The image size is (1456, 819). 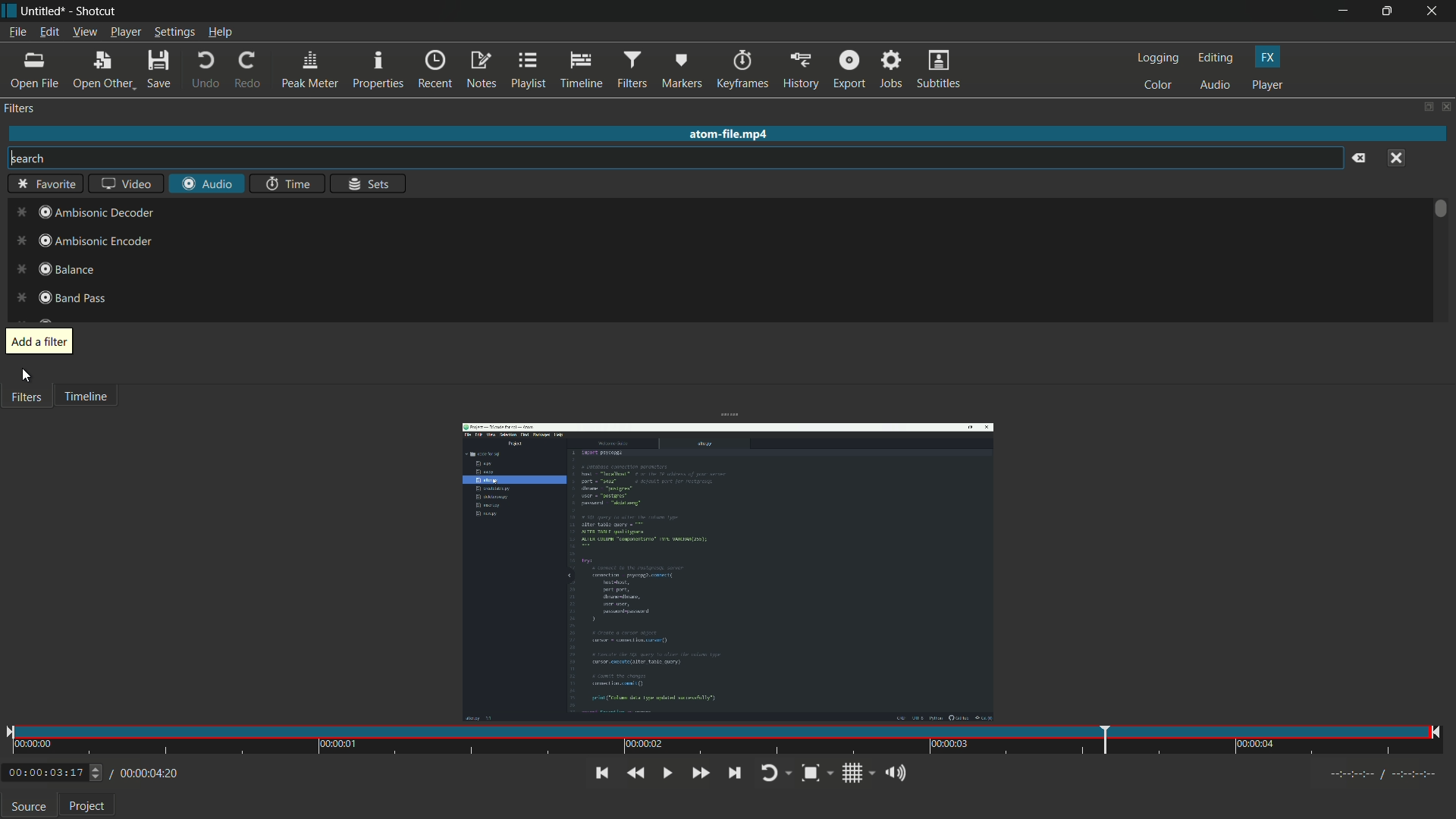 I want to click on properties, so click(x=379, y=71).